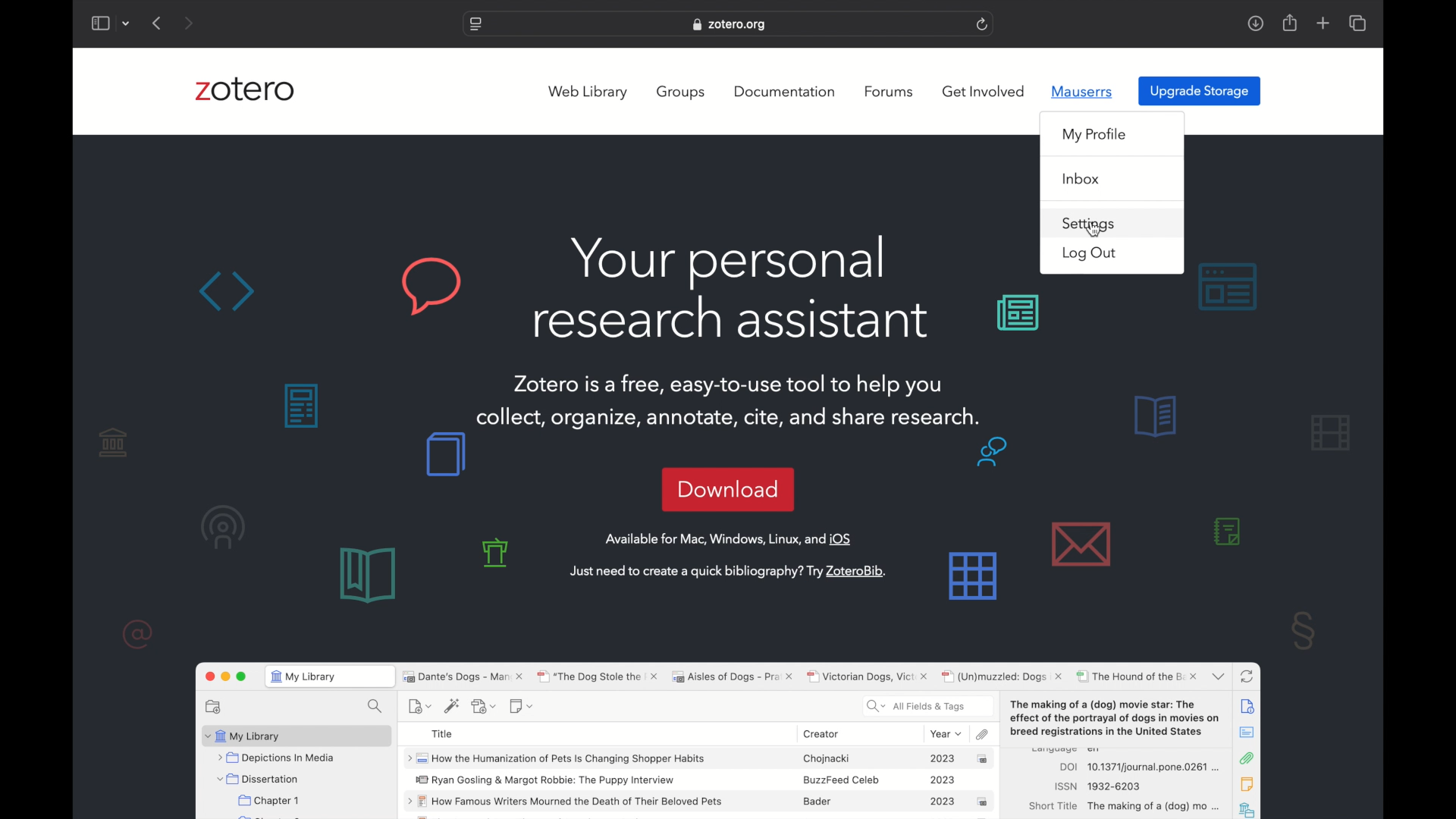 The height and width of the screenshot is (819, 1456). Describe the element at coordinates (1288, 23) in the screenshot. I see `share` at that location.